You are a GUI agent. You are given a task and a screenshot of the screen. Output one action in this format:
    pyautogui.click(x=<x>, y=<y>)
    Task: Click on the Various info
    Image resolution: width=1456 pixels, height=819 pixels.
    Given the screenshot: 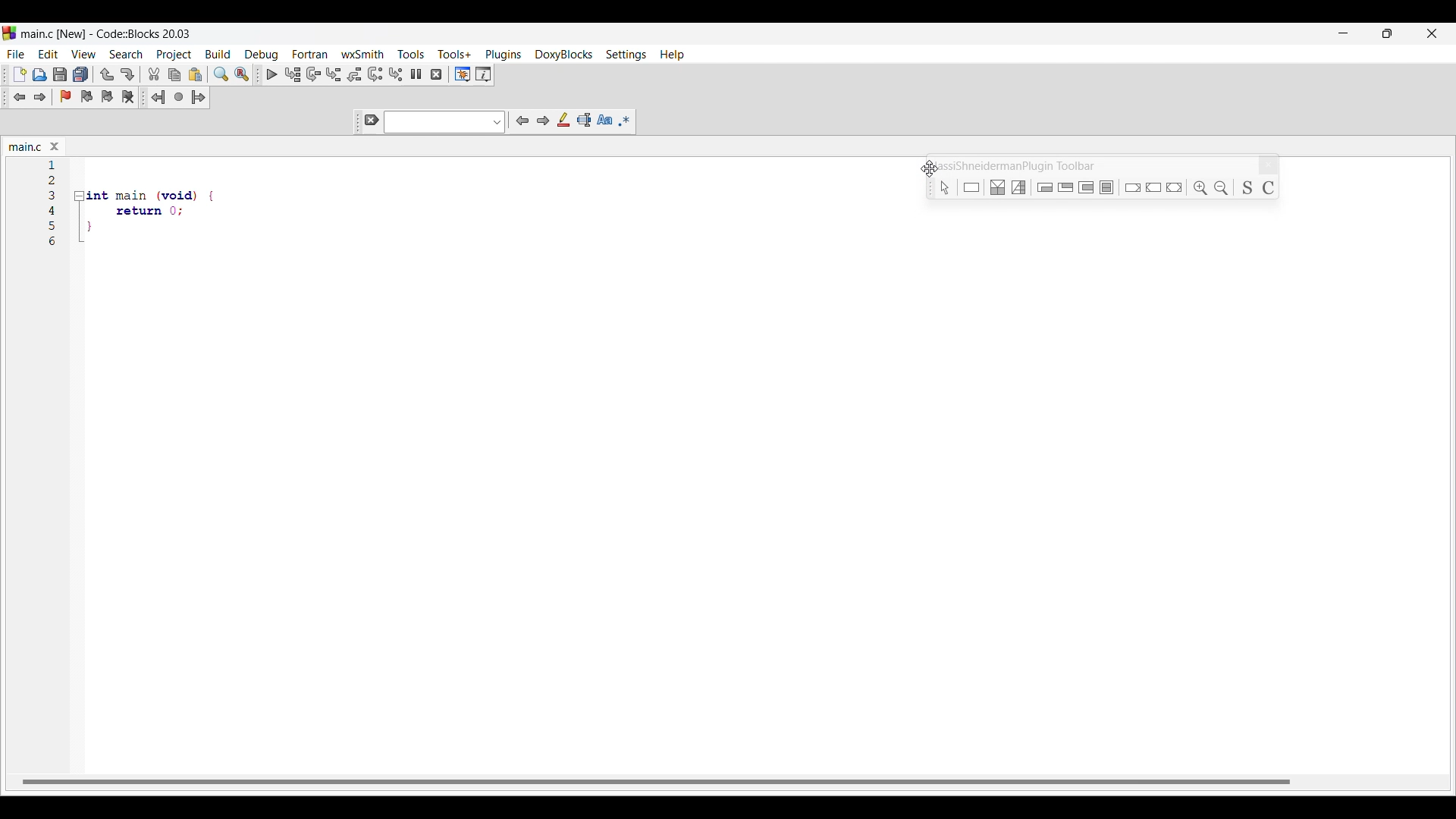 What is the action you would take?
    pyautogui.click(x=484, y=74)
    